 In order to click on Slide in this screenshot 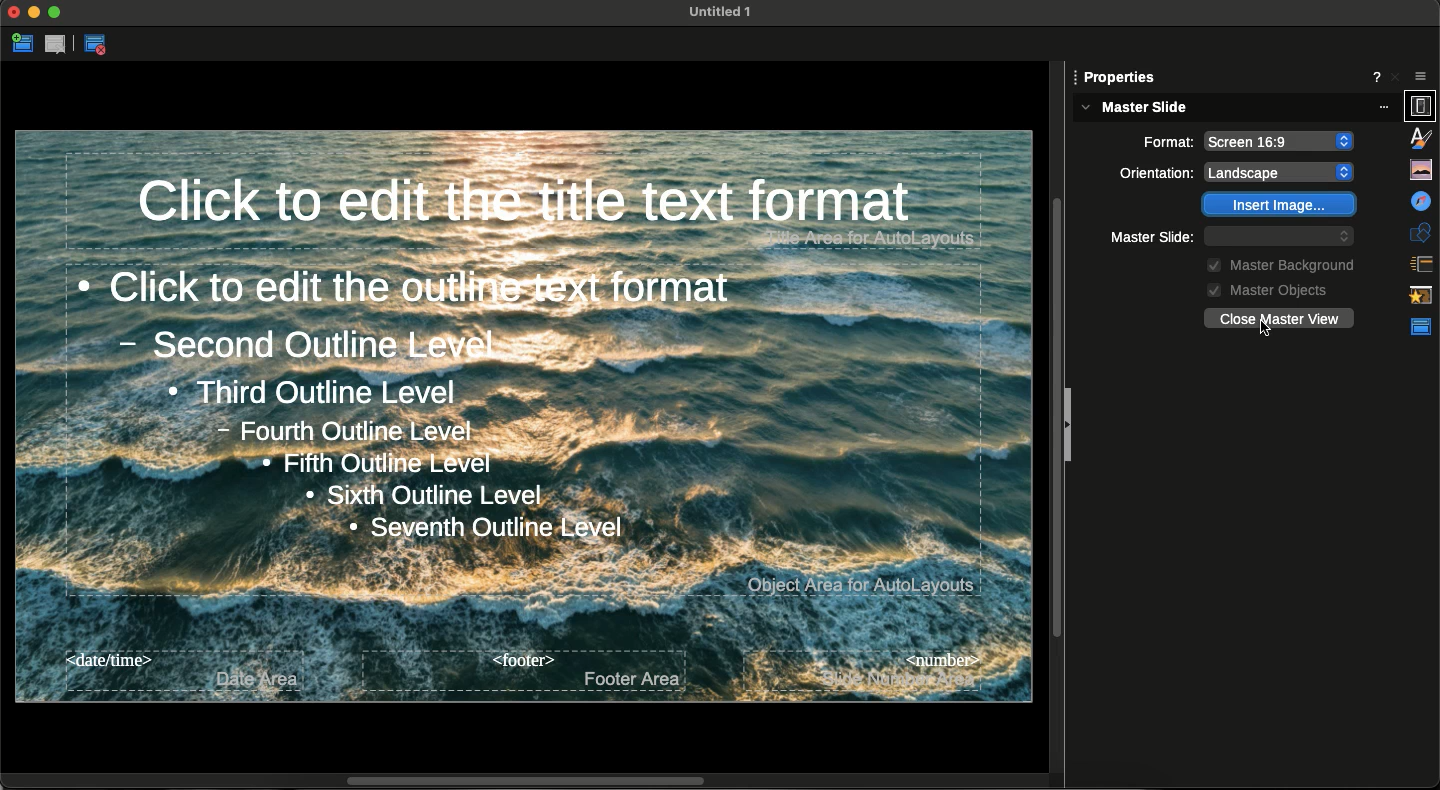, I will do `click(1120, 76)`.